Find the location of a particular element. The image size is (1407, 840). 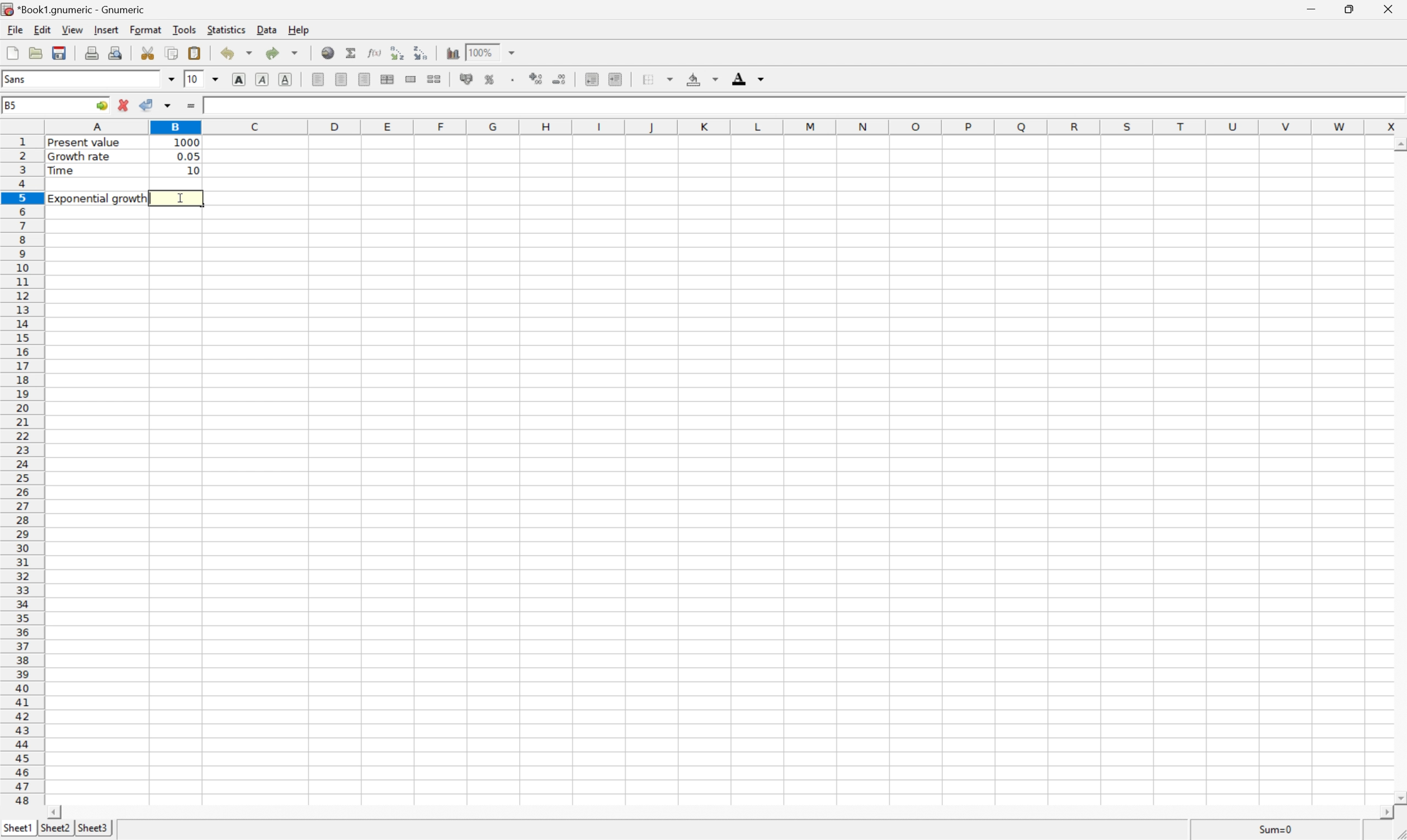

Scroll Left is located at coordinates (57, 811).